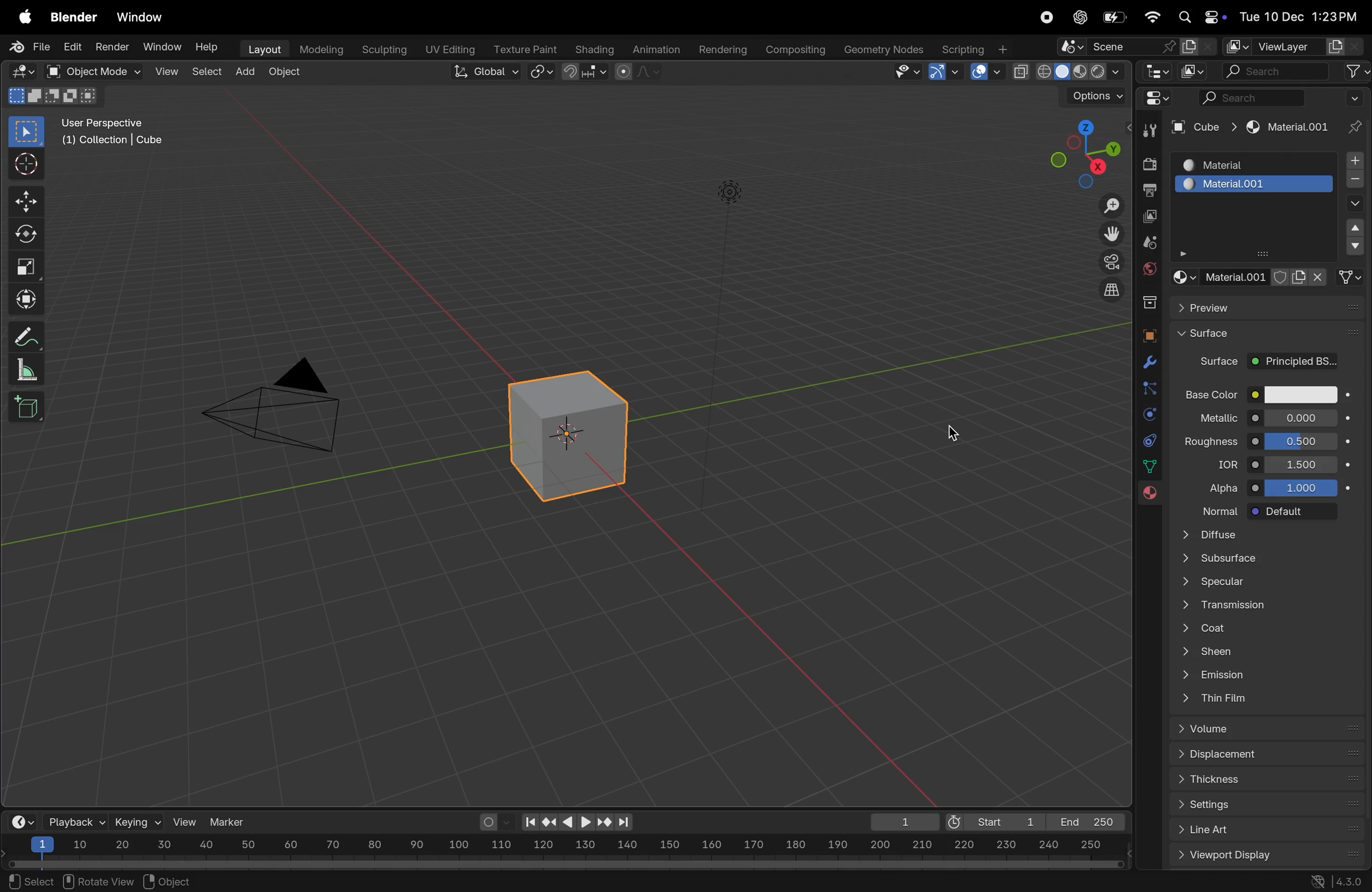  I want to click on emission, so click(1267, 674).